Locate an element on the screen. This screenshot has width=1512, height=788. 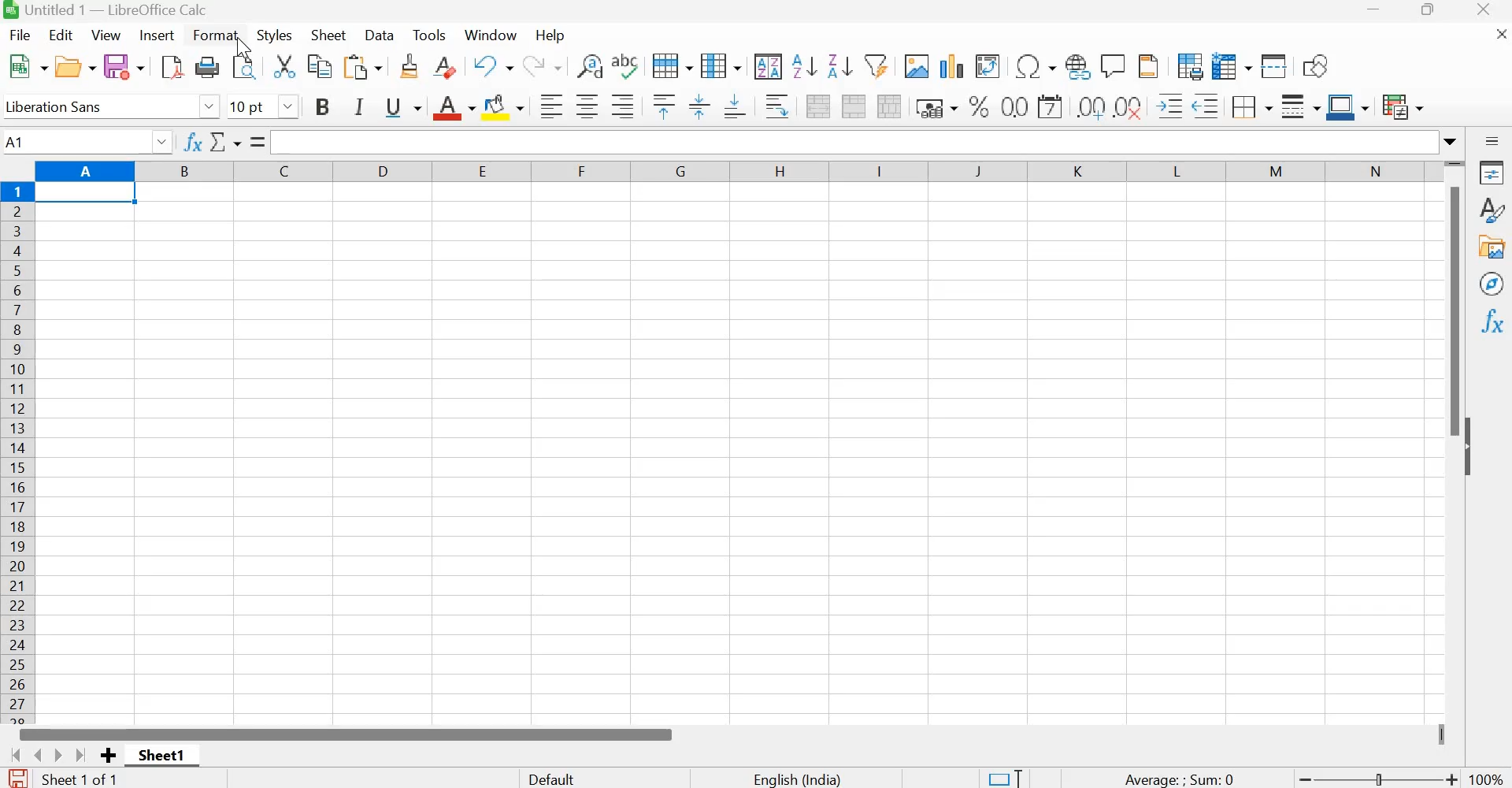
English(India) is located at coordinates (797, 779).